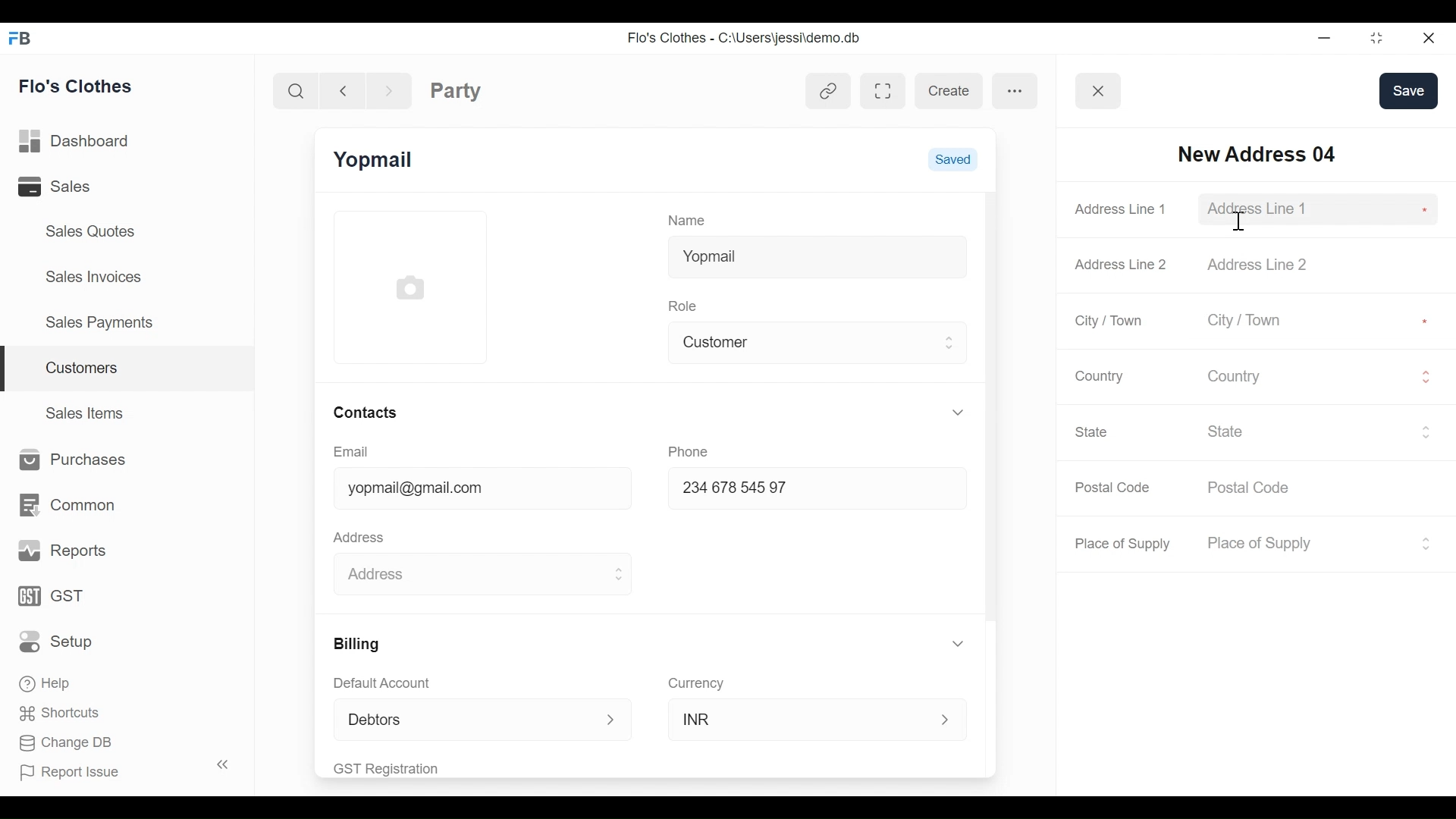 The height and width of the screenshot is (819, 1456). Describe the element at coordinates (1110, 321) in the screenshot. I see `City / Town` at that location.